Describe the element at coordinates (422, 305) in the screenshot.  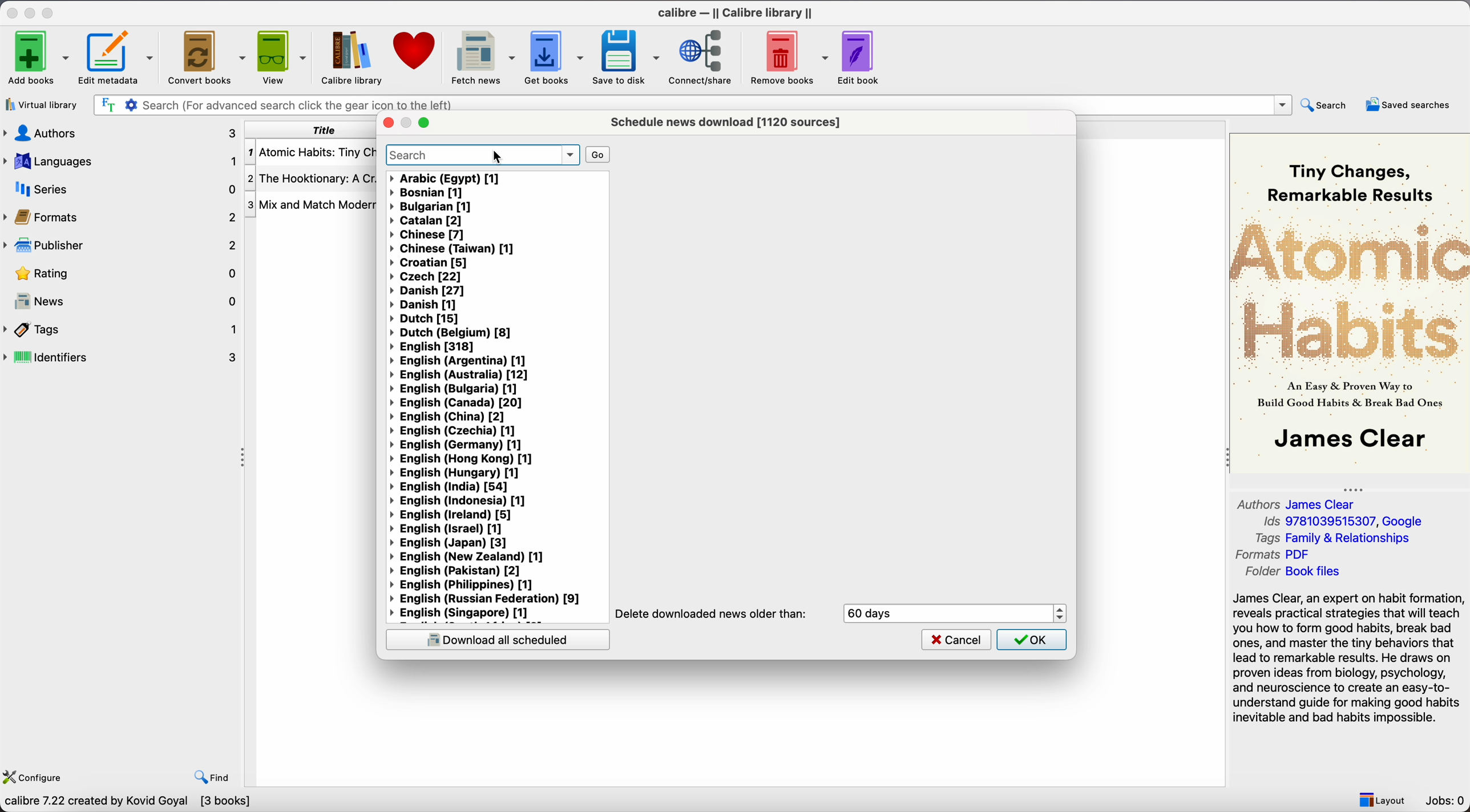
I see `Danish [1]` at that location.